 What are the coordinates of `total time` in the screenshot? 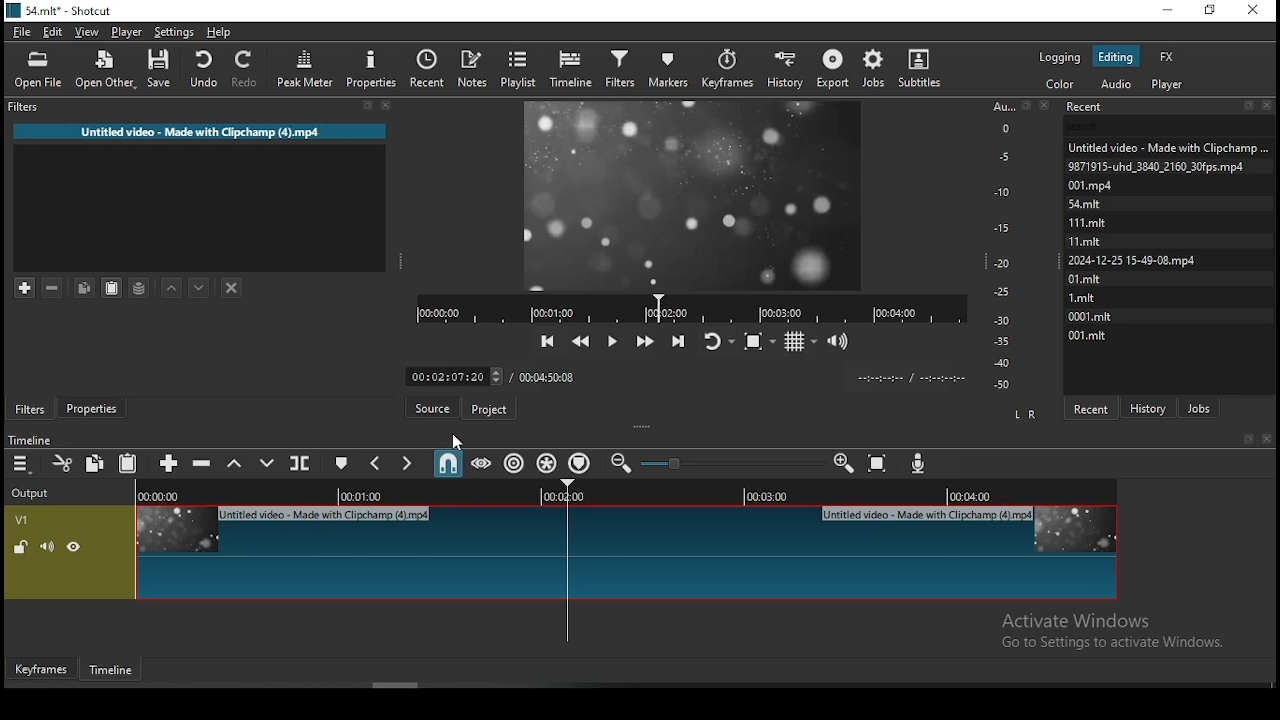 It's located at (544, 377).